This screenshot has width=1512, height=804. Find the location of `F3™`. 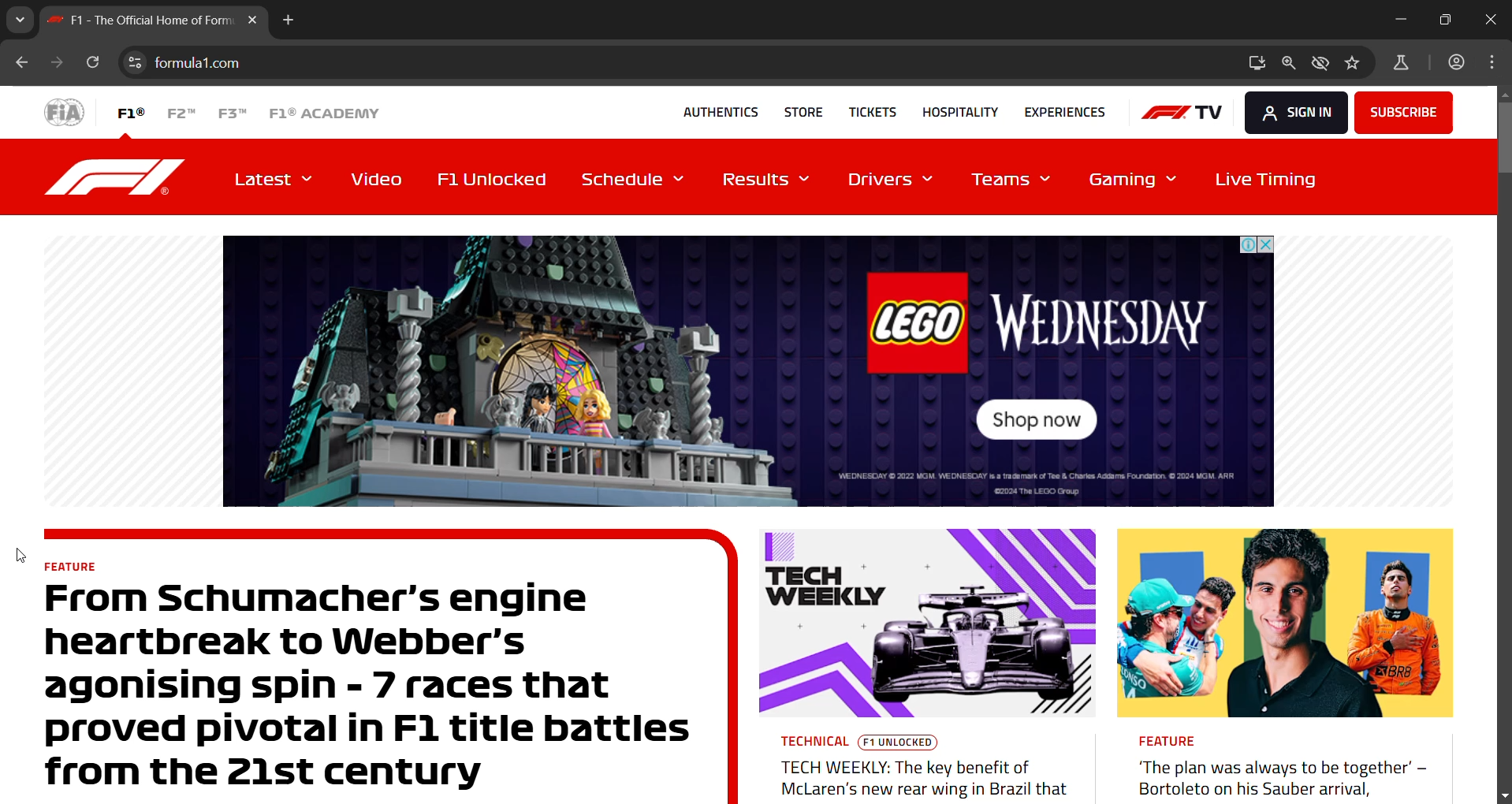

F3™ is located at coordinates (234, 112).